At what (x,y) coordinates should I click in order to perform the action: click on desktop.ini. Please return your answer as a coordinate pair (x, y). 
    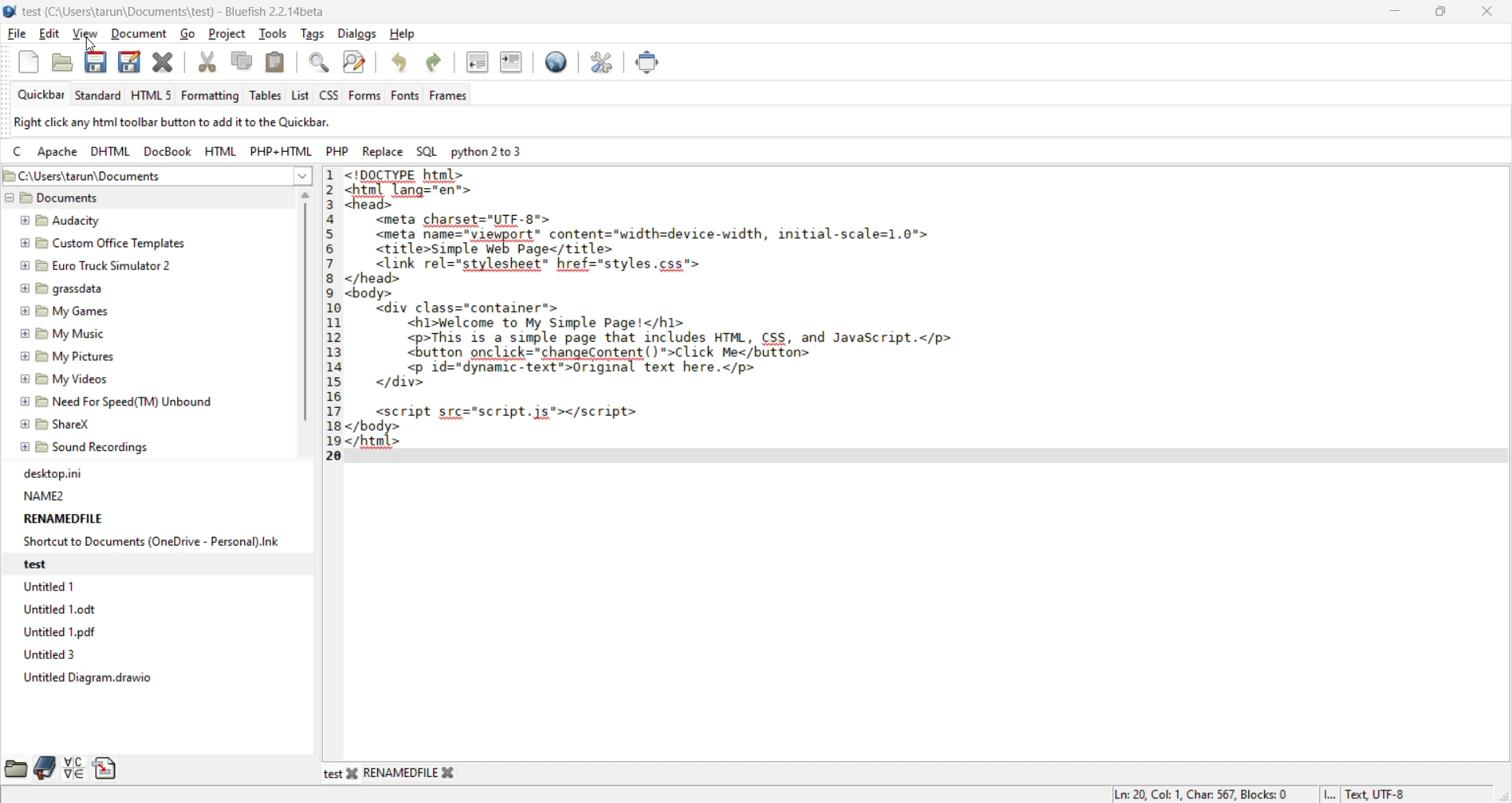
    Looking at the image, I should click on (51, 474).